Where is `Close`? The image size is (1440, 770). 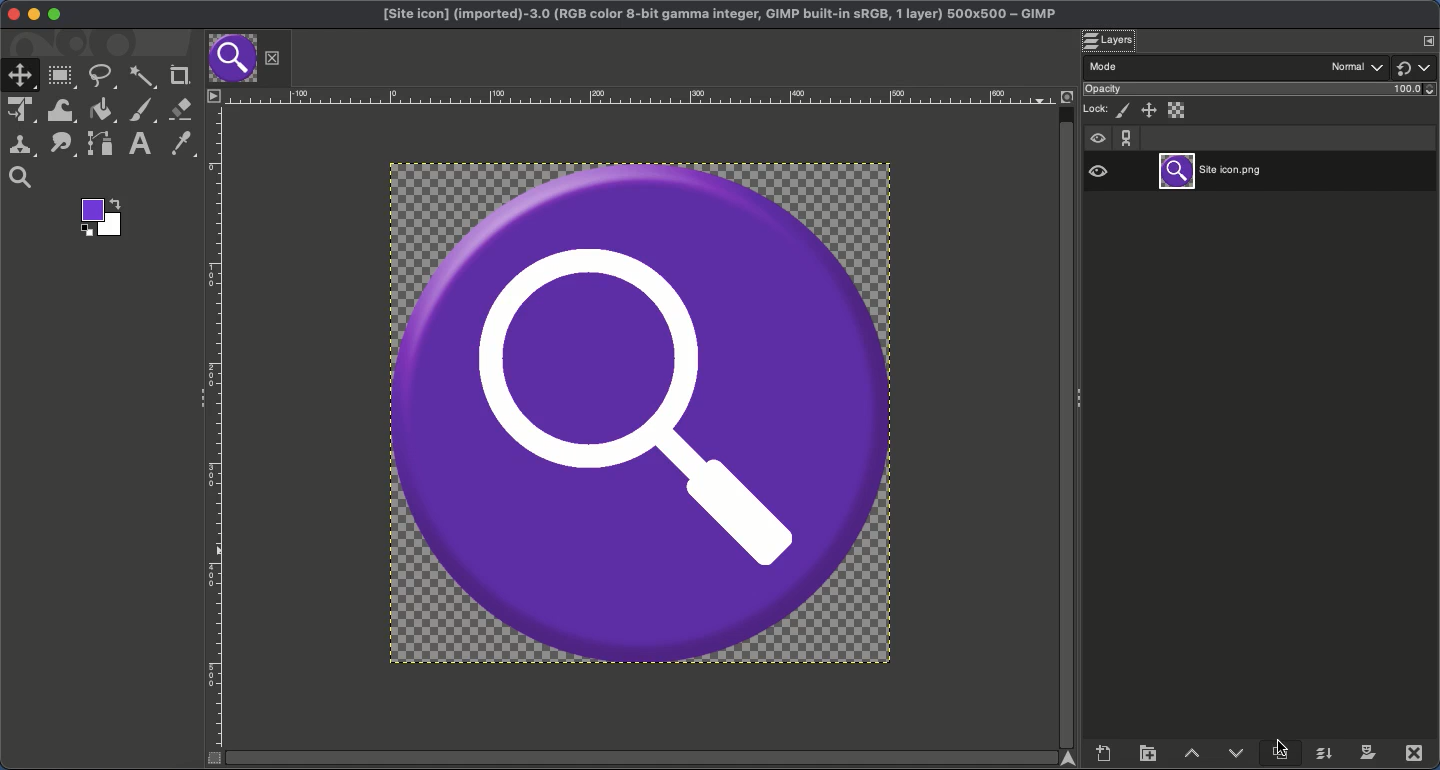 Close is located at coordinates (10, 13).